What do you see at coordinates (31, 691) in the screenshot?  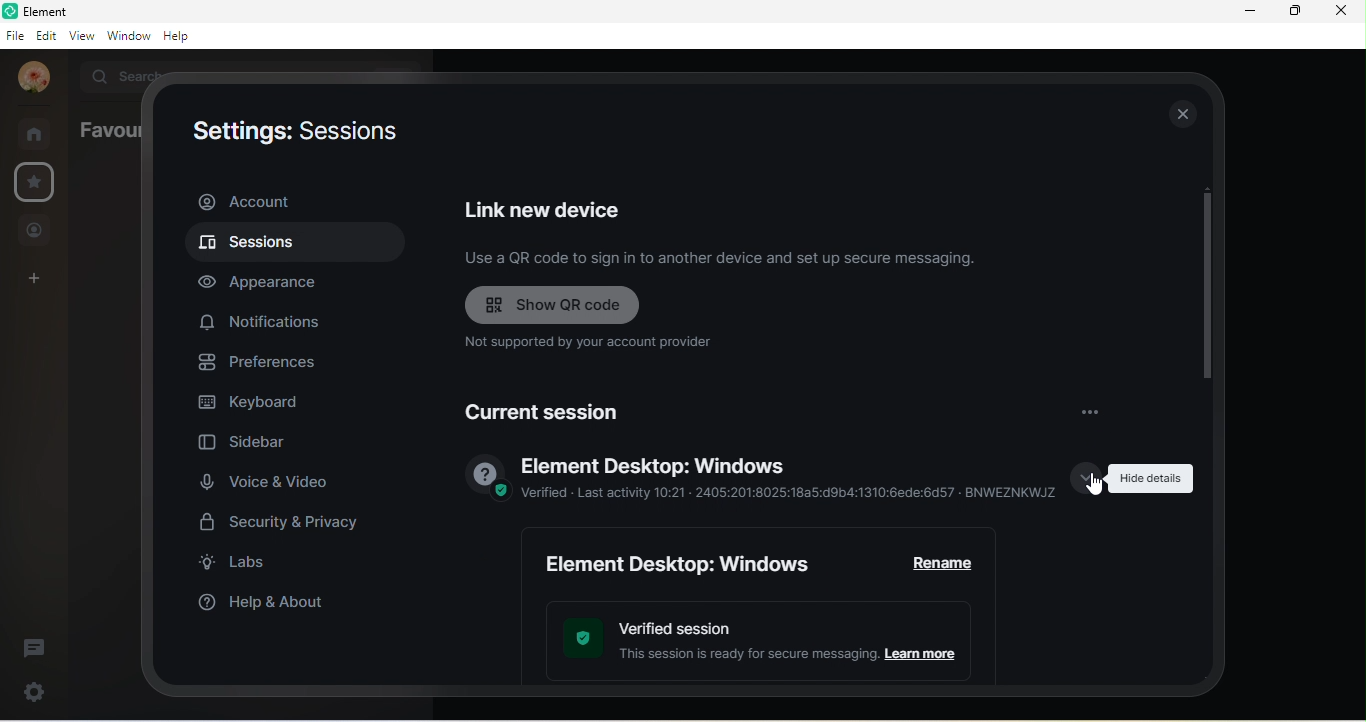 I see `settings` at bounding box center [31, 691].